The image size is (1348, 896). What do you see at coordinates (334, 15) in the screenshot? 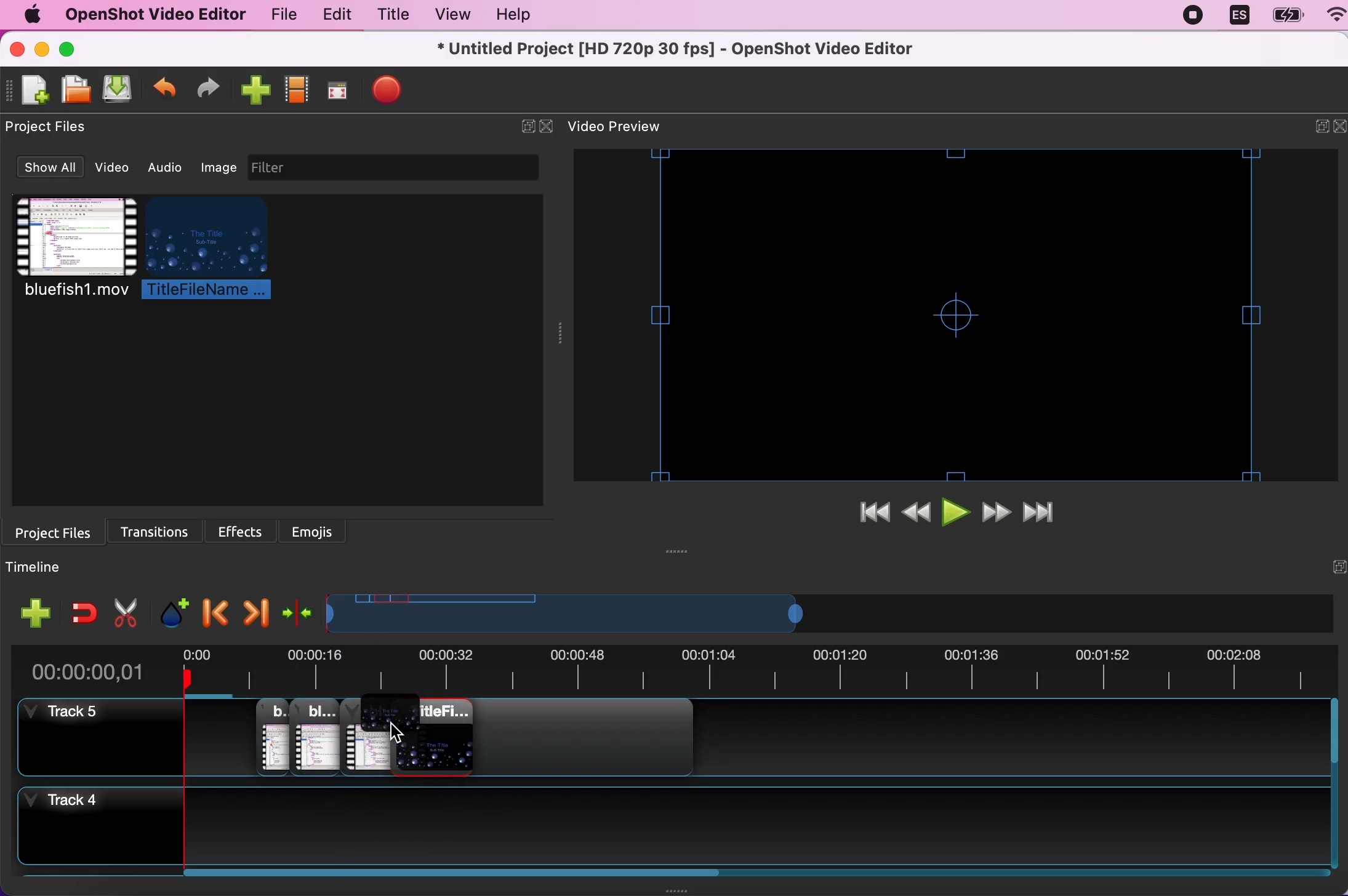
I see `edit` at bounding box center [334, 15].